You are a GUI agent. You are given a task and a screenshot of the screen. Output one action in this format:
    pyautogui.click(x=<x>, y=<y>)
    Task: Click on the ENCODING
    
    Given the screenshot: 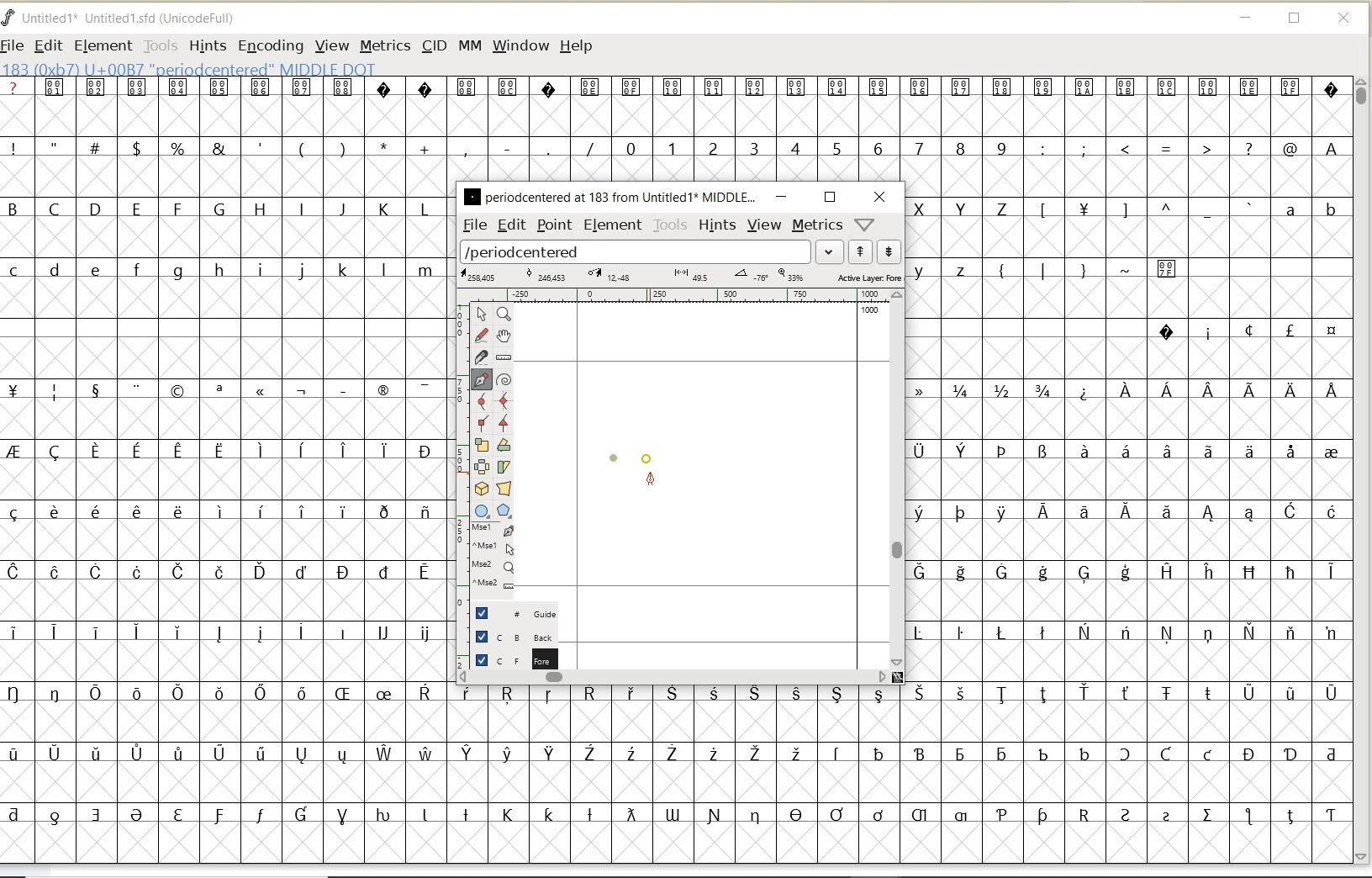 What is the action you would take?
    pyautogui.click(x=271, y=47)
    